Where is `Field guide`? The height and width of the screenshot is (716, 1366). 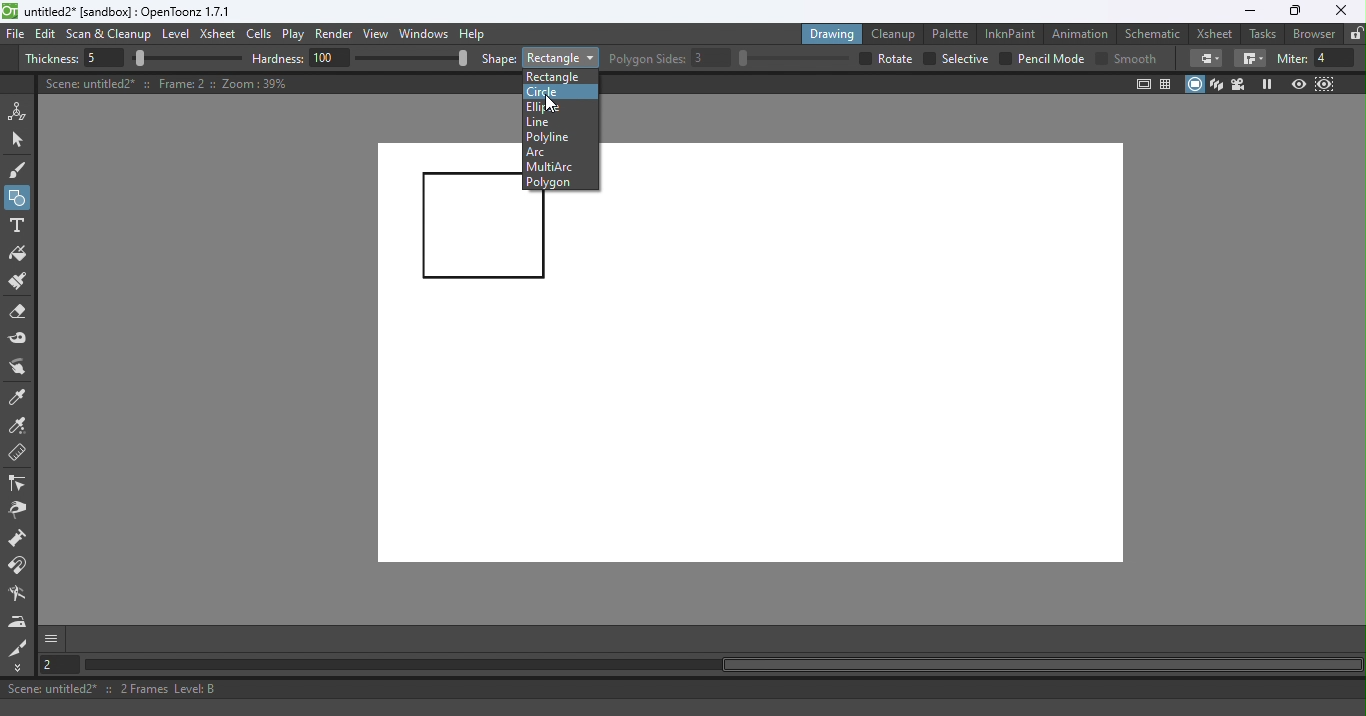
Field guide is located at coordinates (1169, 83).